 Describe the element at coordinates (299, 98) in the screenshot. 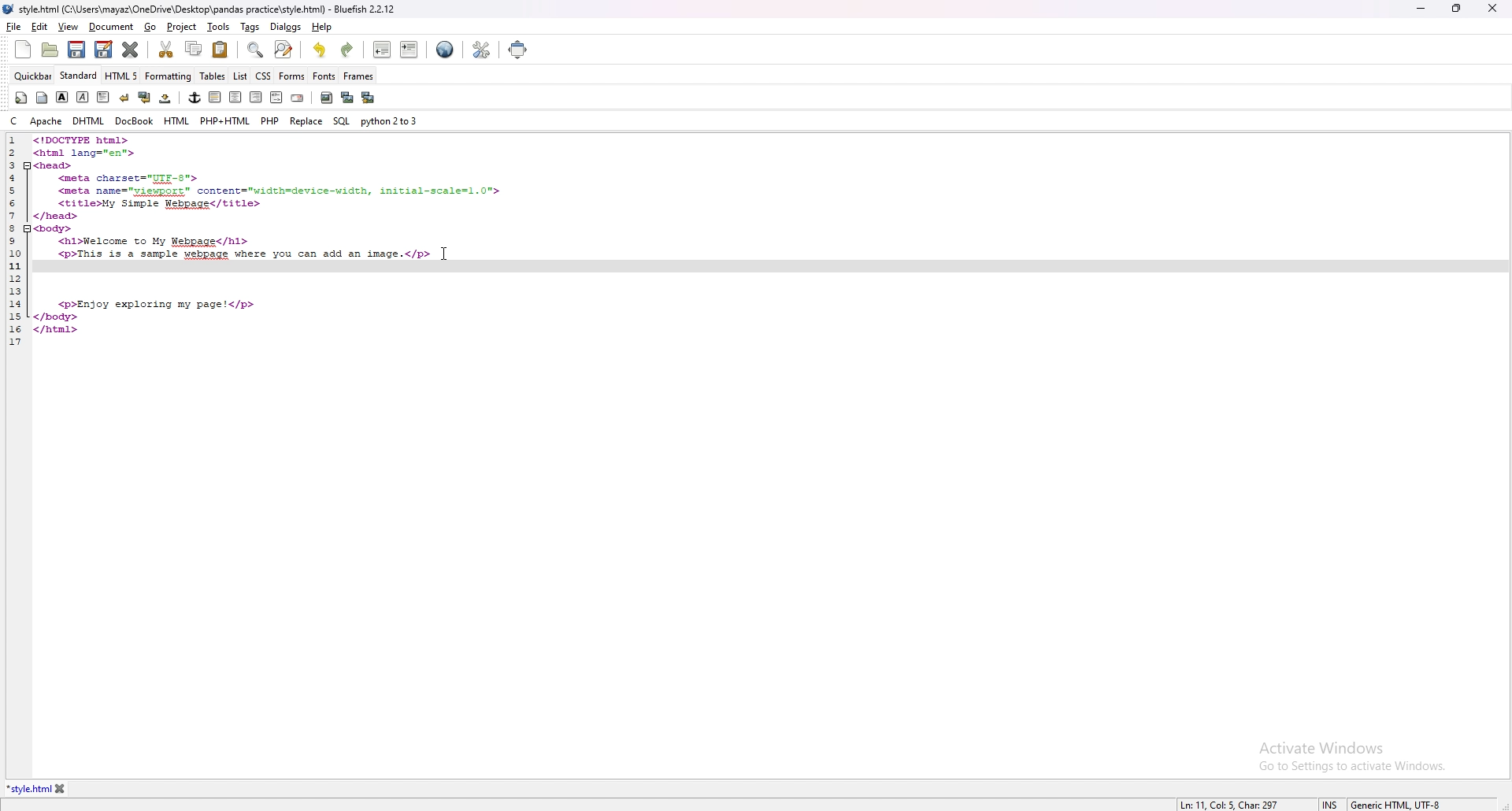

I see `email` at that location.